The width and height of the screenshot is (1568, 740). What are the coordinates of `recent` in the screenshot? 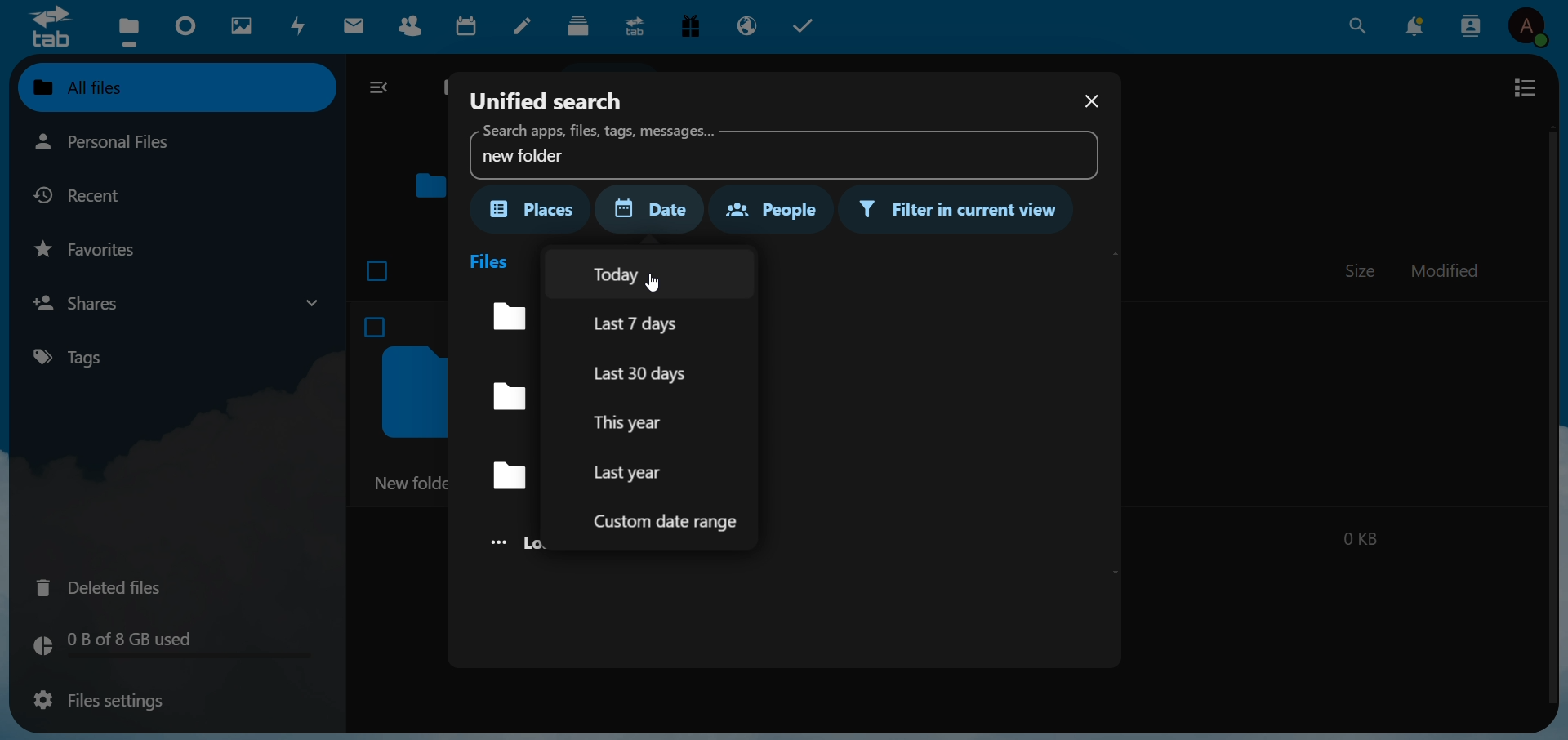 It's located at (91, 194).